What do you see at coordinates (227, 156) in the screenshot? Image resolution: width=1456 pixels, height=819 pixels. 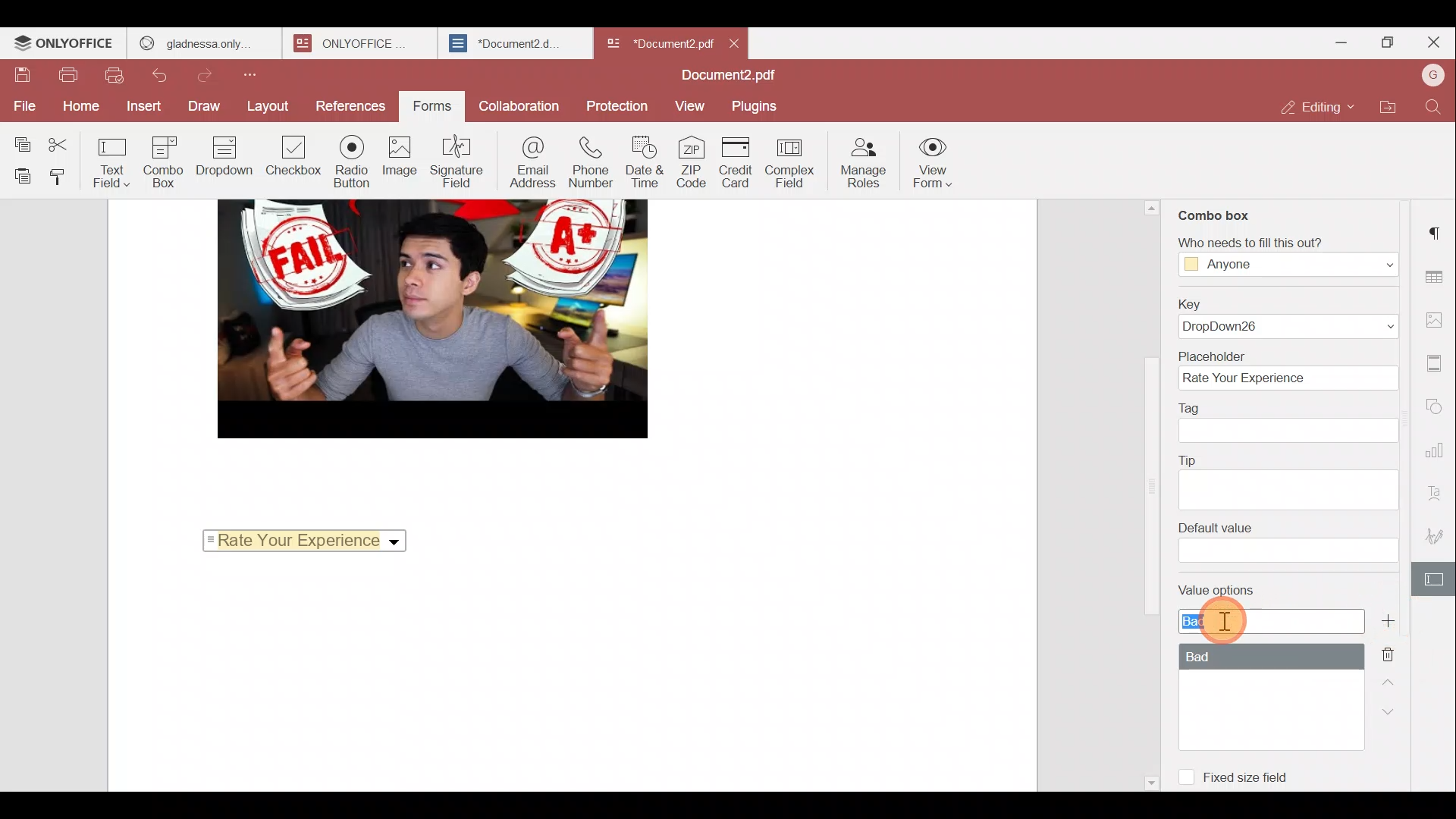 I see `Dropdown` at bounding box center [227, 156].